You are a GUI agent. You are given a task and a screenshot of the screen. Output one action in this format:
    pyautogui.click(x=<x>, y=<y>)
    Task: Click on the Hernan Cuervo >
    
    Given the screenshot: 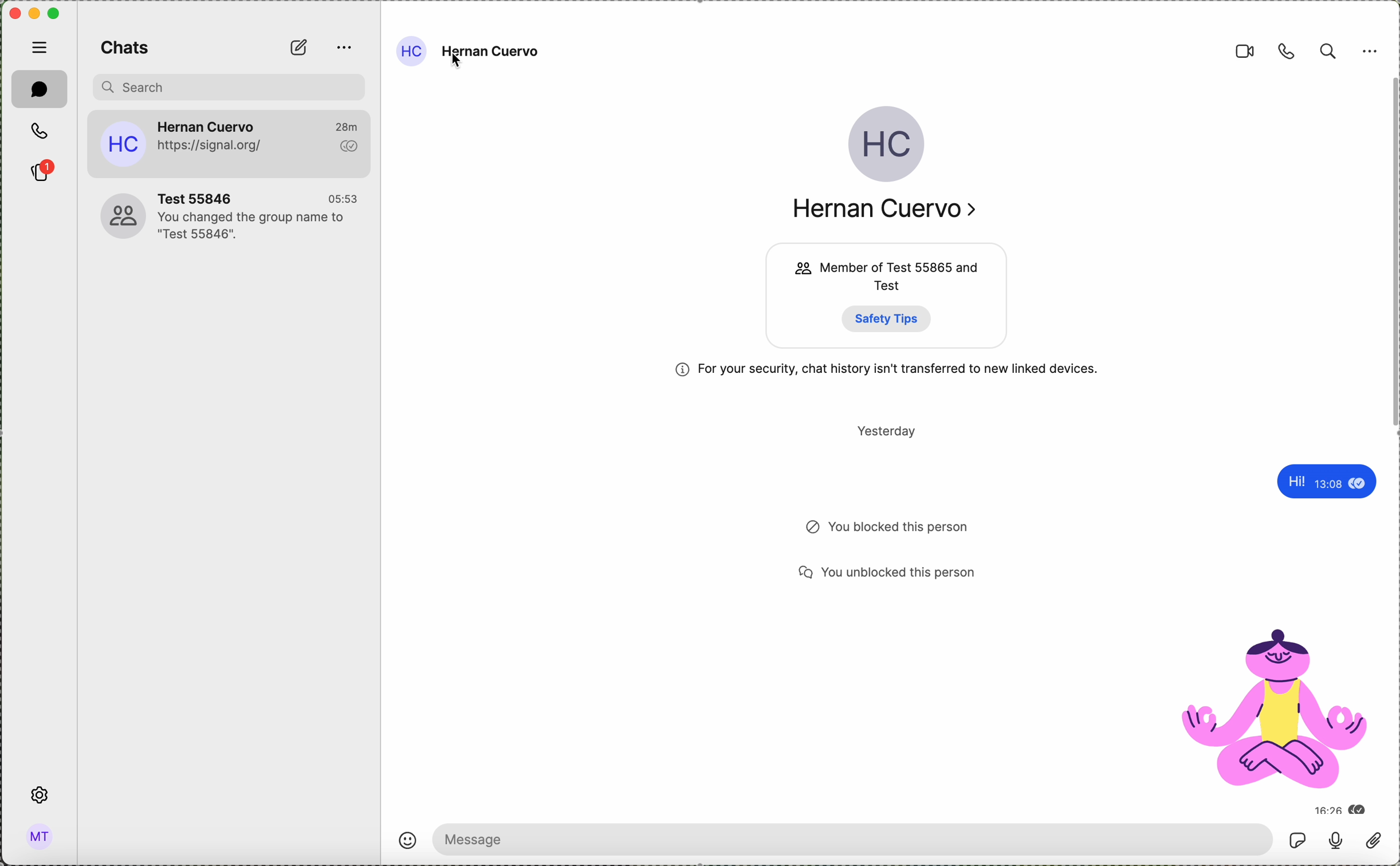 What is the action you would take?
    pyautogui.click(x=893, y=208)
    